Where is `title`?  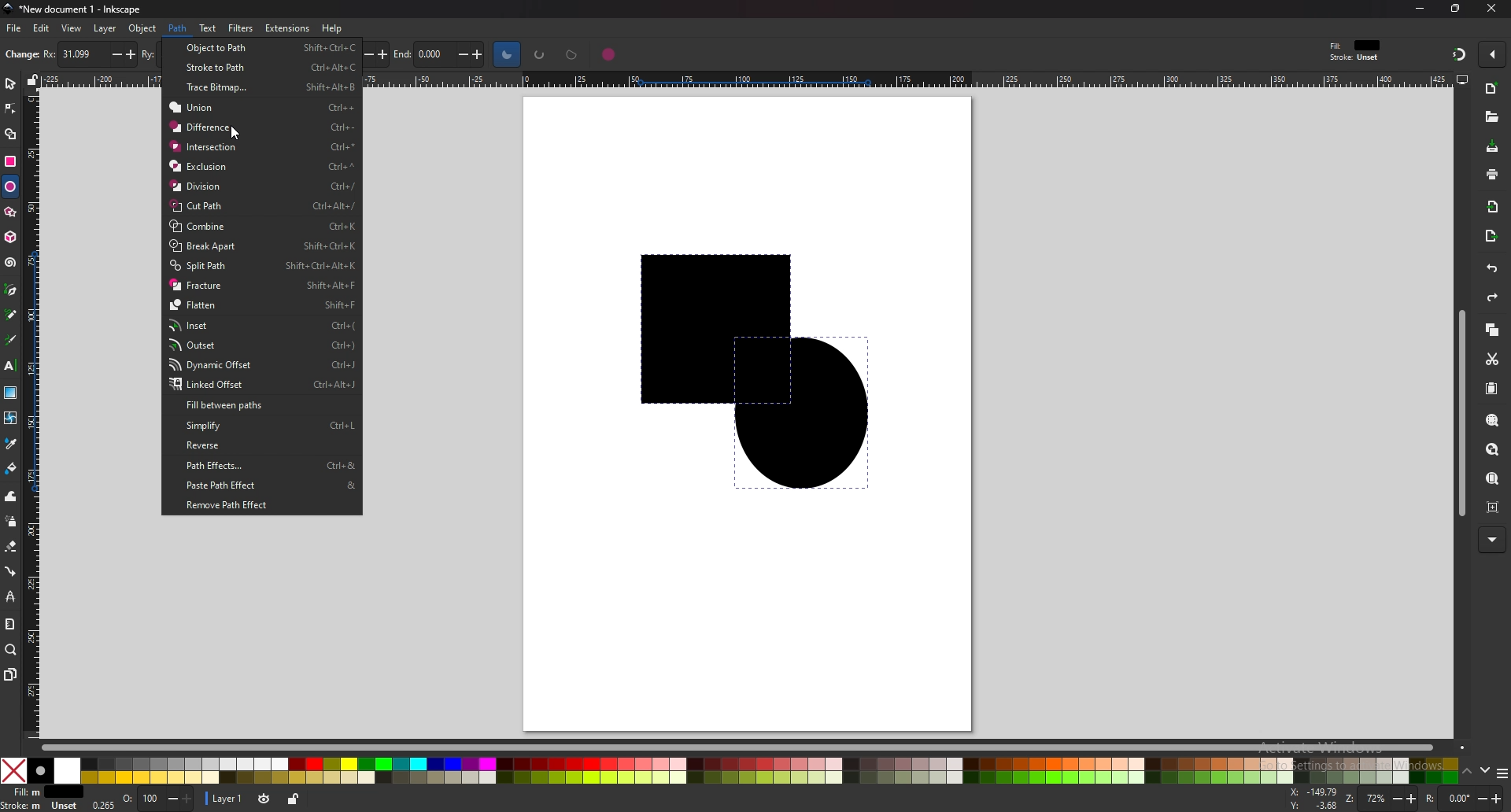
title is located at coordinates (71, 9).